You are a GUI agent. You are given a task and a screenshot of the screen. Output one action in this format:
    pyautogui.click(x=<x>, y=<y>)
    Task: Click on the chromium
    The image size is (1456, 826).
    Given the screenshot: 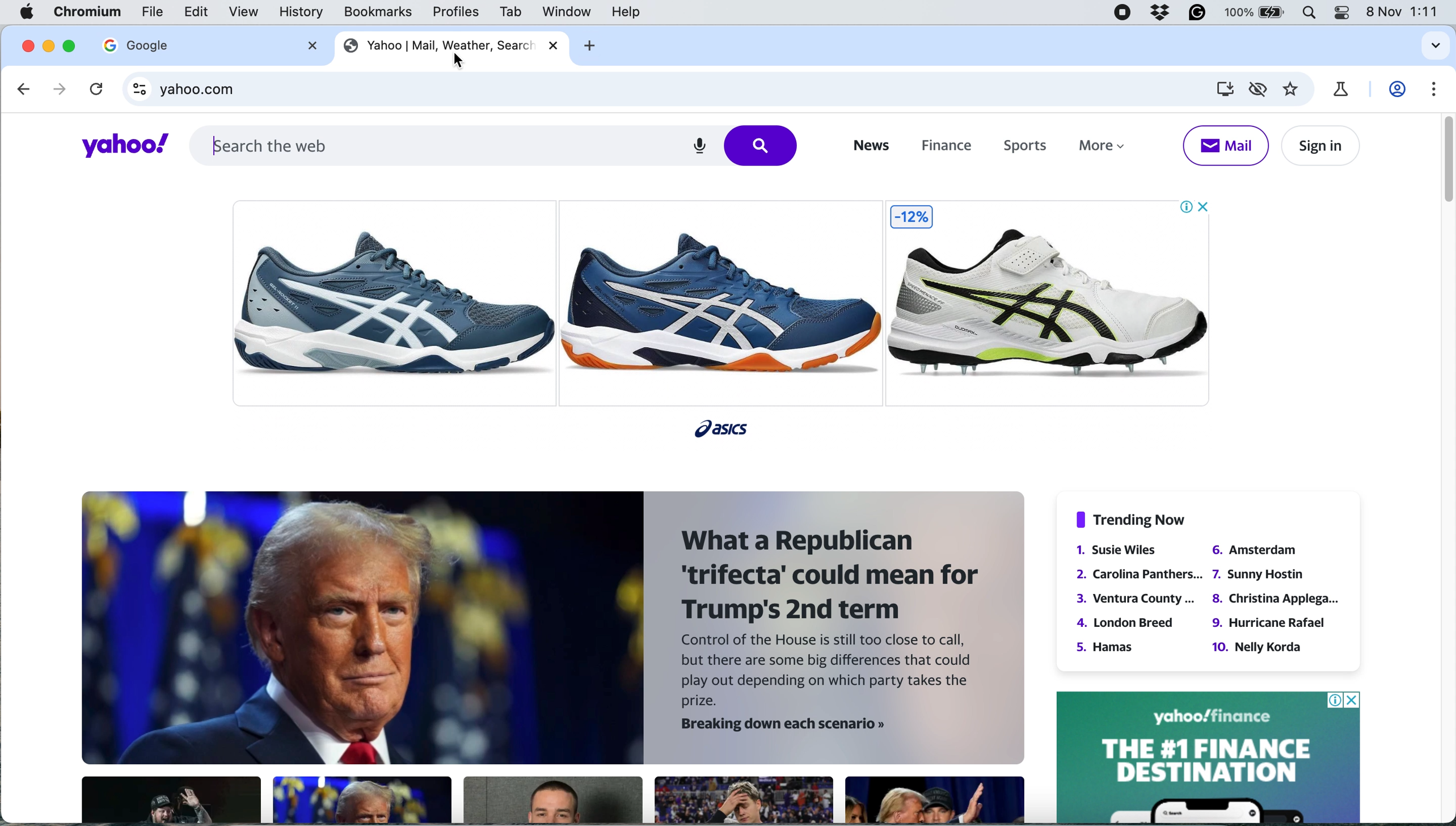 What is the action you would take?
    pyautogui.click(x=88, y=12)
    